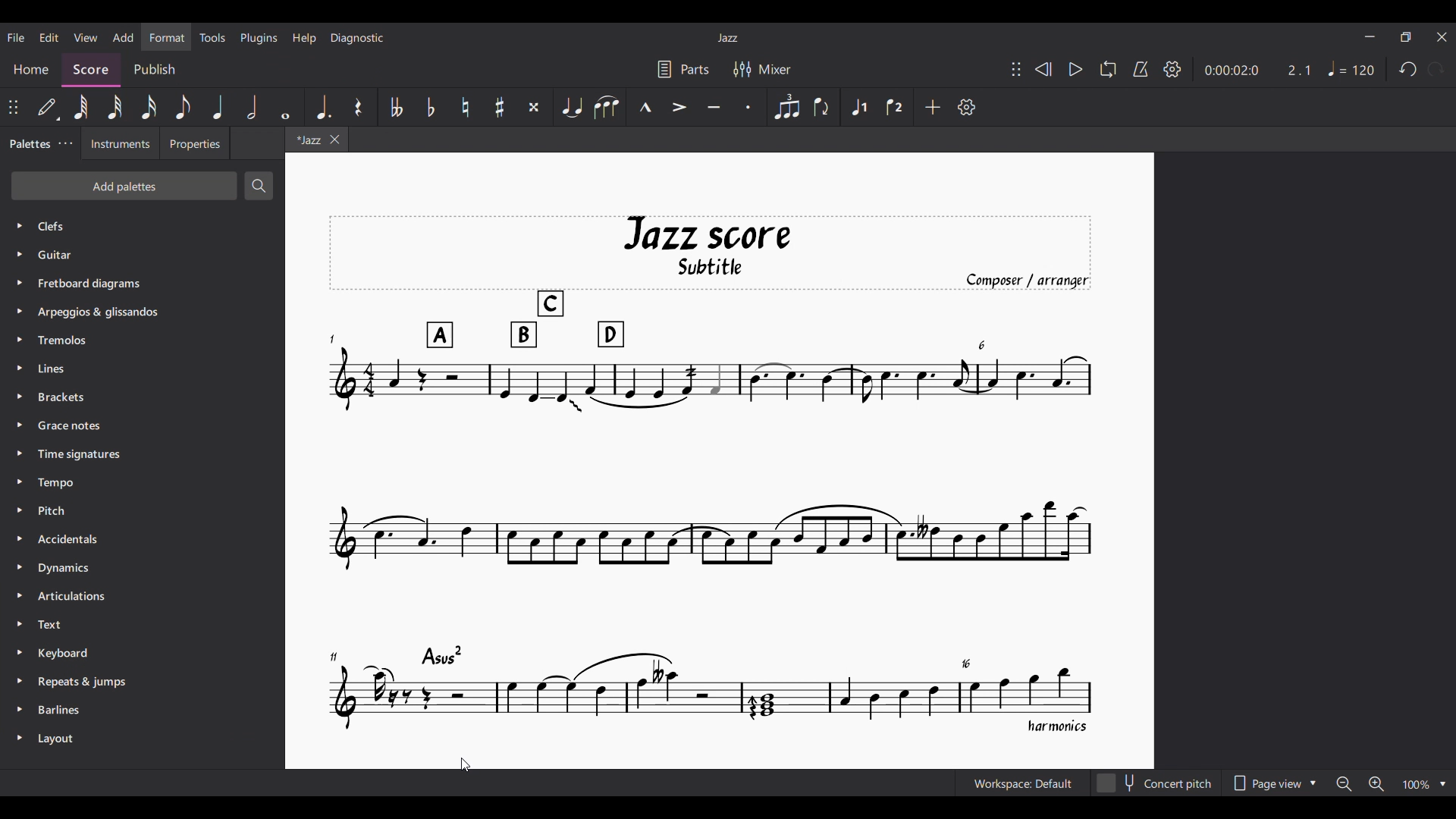 The image size is (1456, 819). Describe the element at coordinates (166, 37) in the screenshot. I see `Format menu, highlighted by cursor` at that location.